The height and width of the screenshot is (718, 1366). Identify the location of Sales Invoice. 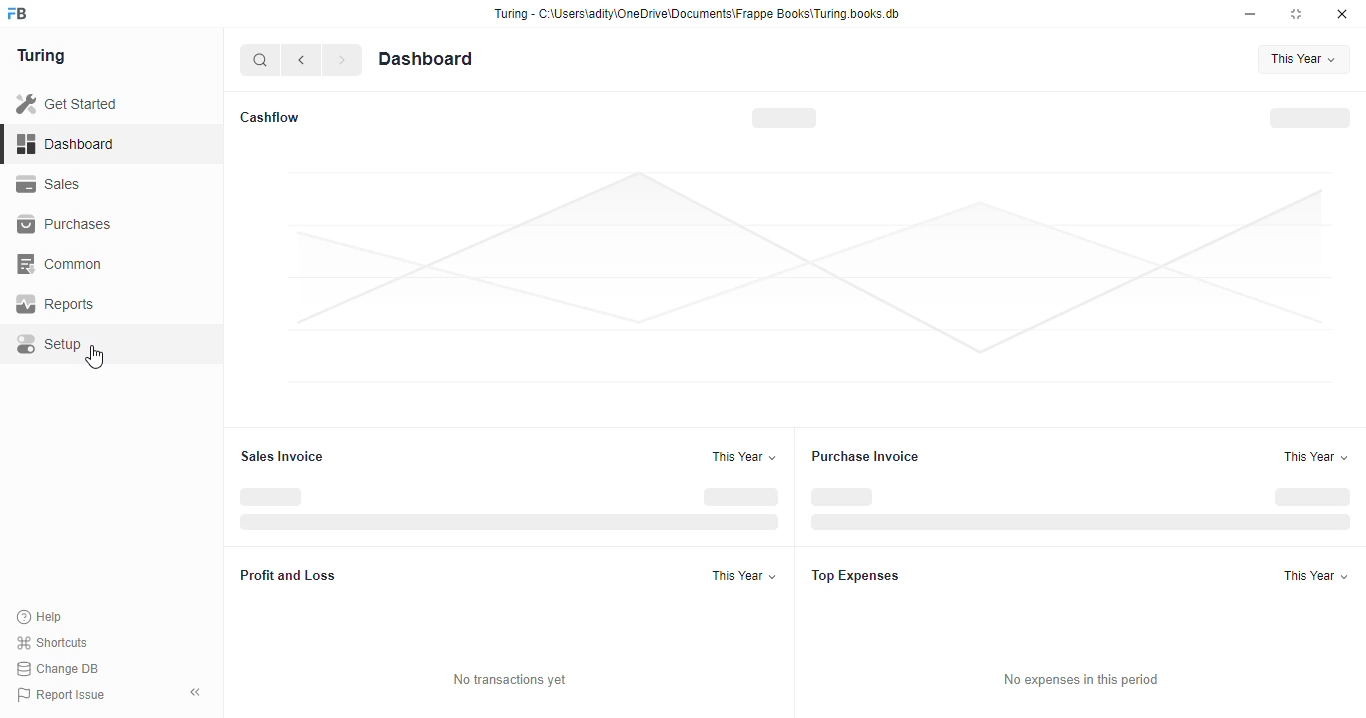
(285, 454).